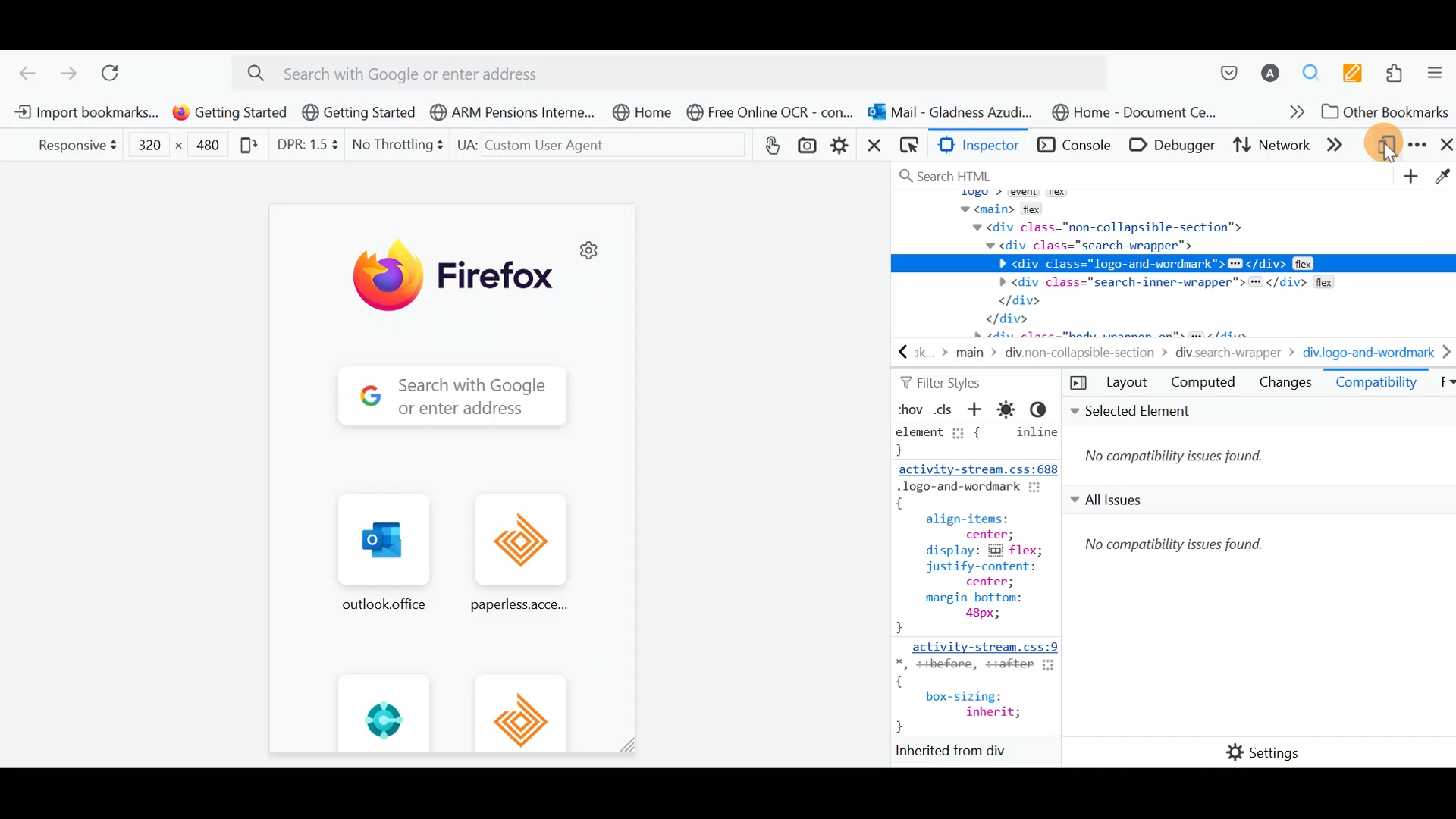 This screenshot has width=1456, height=819. Describe the element at coordinates (952, 111) in the screenshot. I see `Bookmark 7` at that location.